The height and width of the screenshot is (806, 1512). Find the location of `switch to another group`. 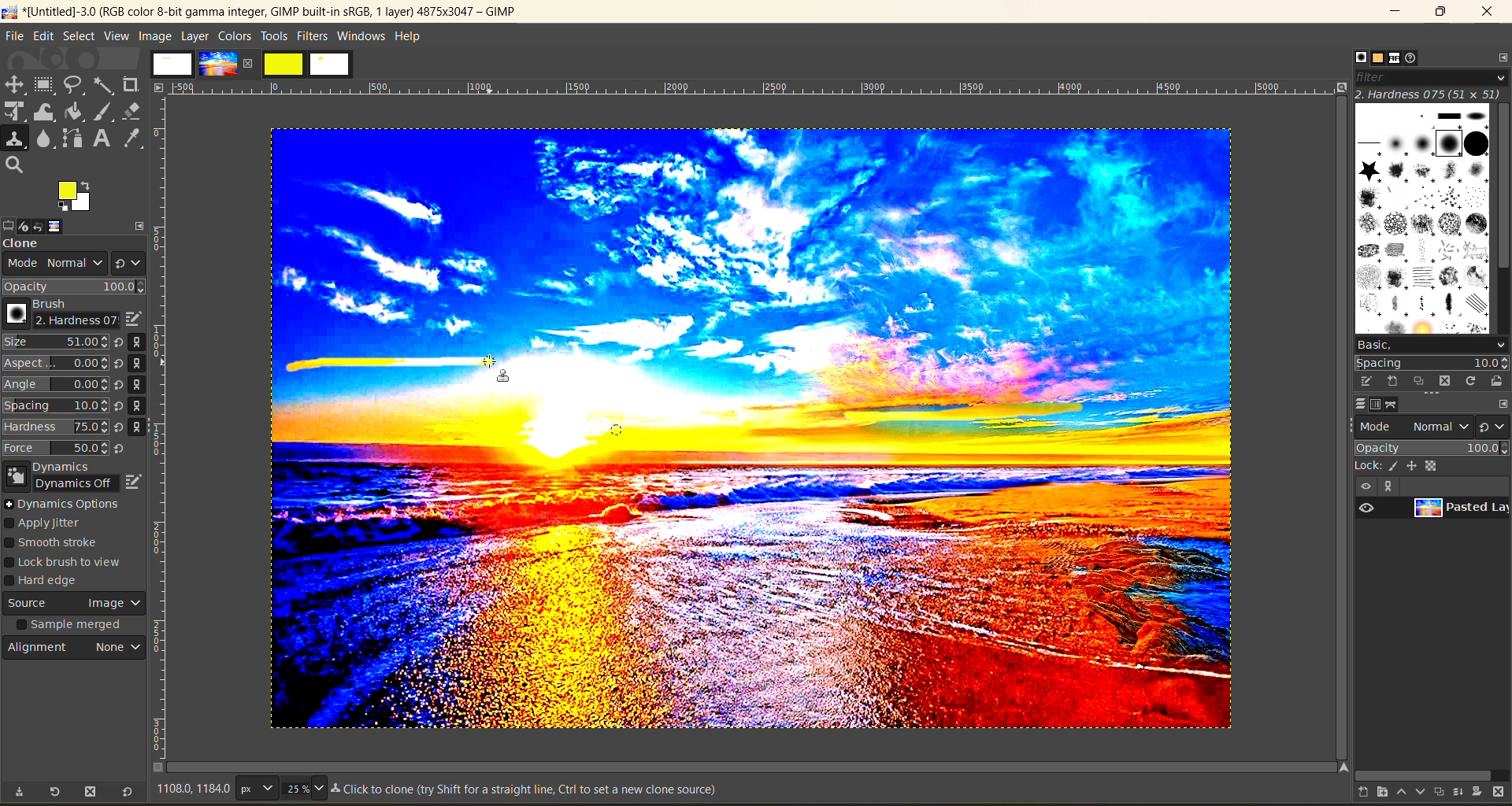

switch to another group is located at coordinates (128, 261).